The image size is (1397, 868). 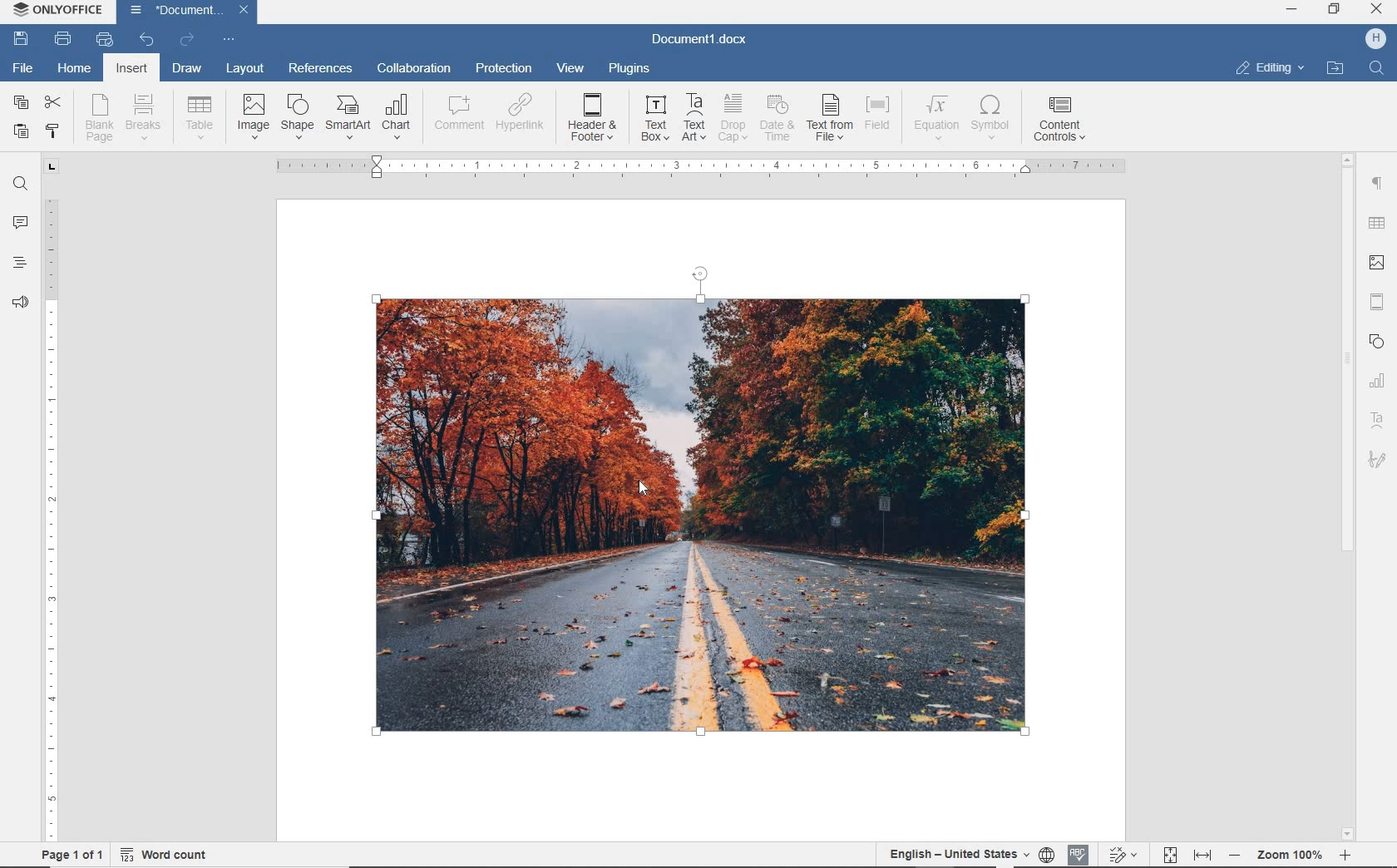 I want to click on TextArt, so click(x=1380, y=418).